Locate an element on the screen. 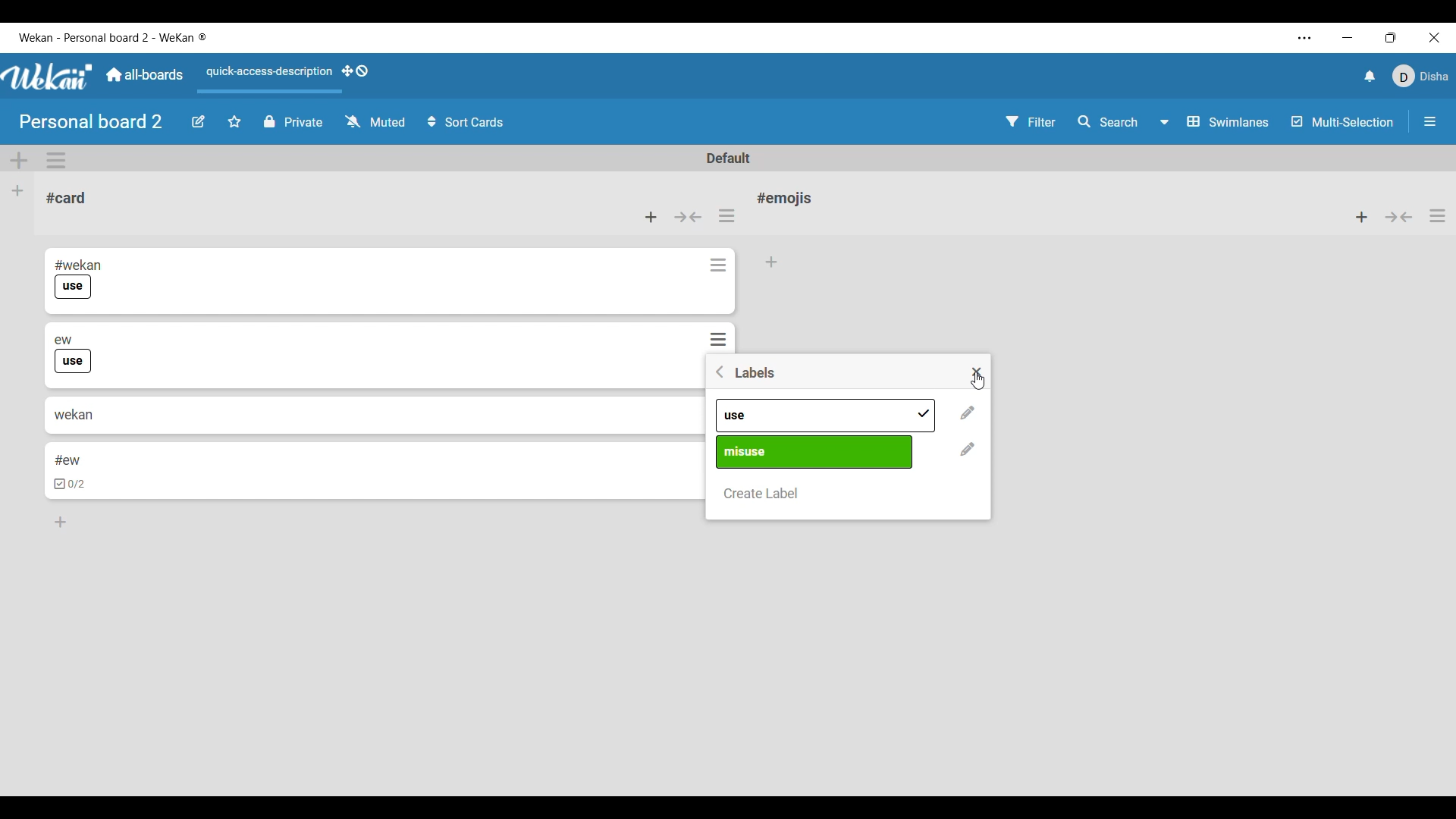 This screenshot has width=1456, height=819. Board name is located at coordinates (90, 121).